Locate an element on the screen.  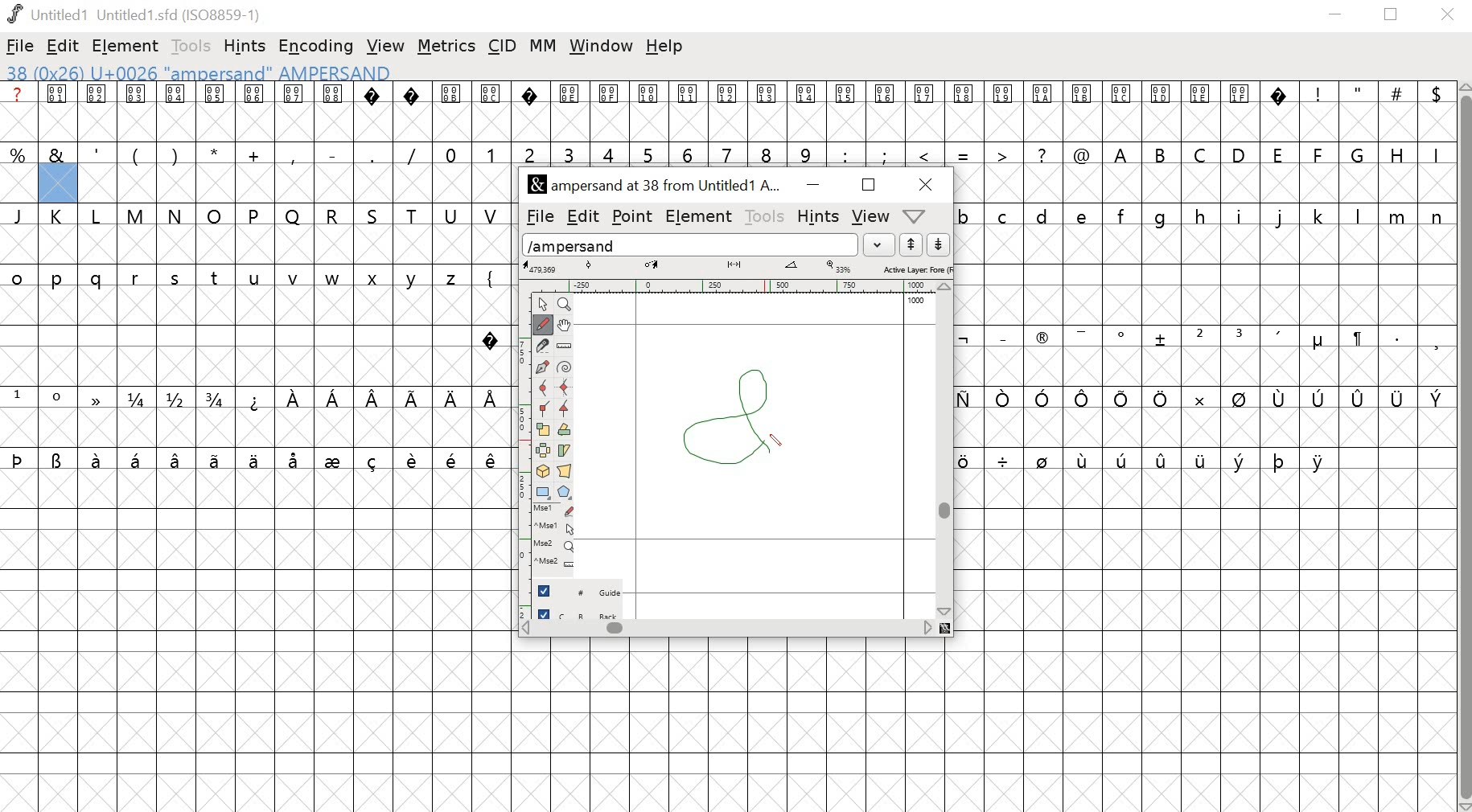
K is located at coordinates (60, 217).